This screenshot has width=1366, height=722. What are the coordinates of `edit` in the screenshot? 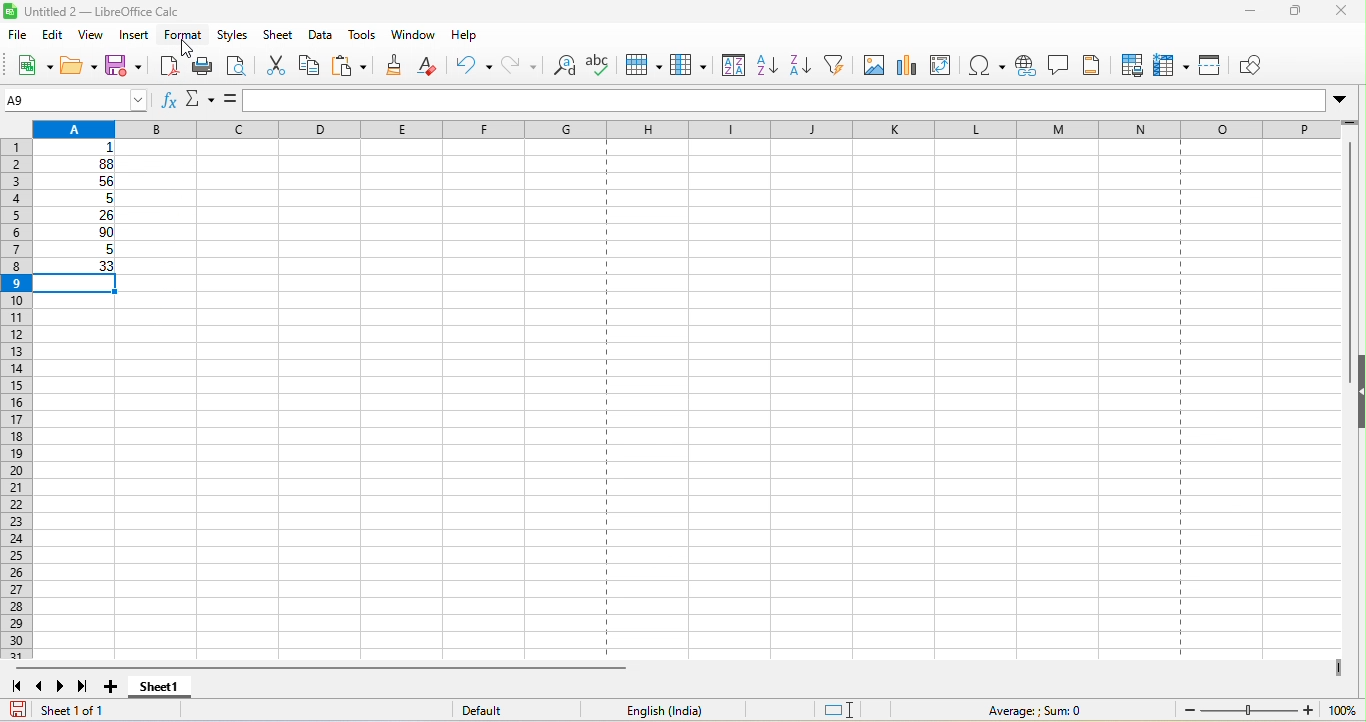 It's located at (55, 34).